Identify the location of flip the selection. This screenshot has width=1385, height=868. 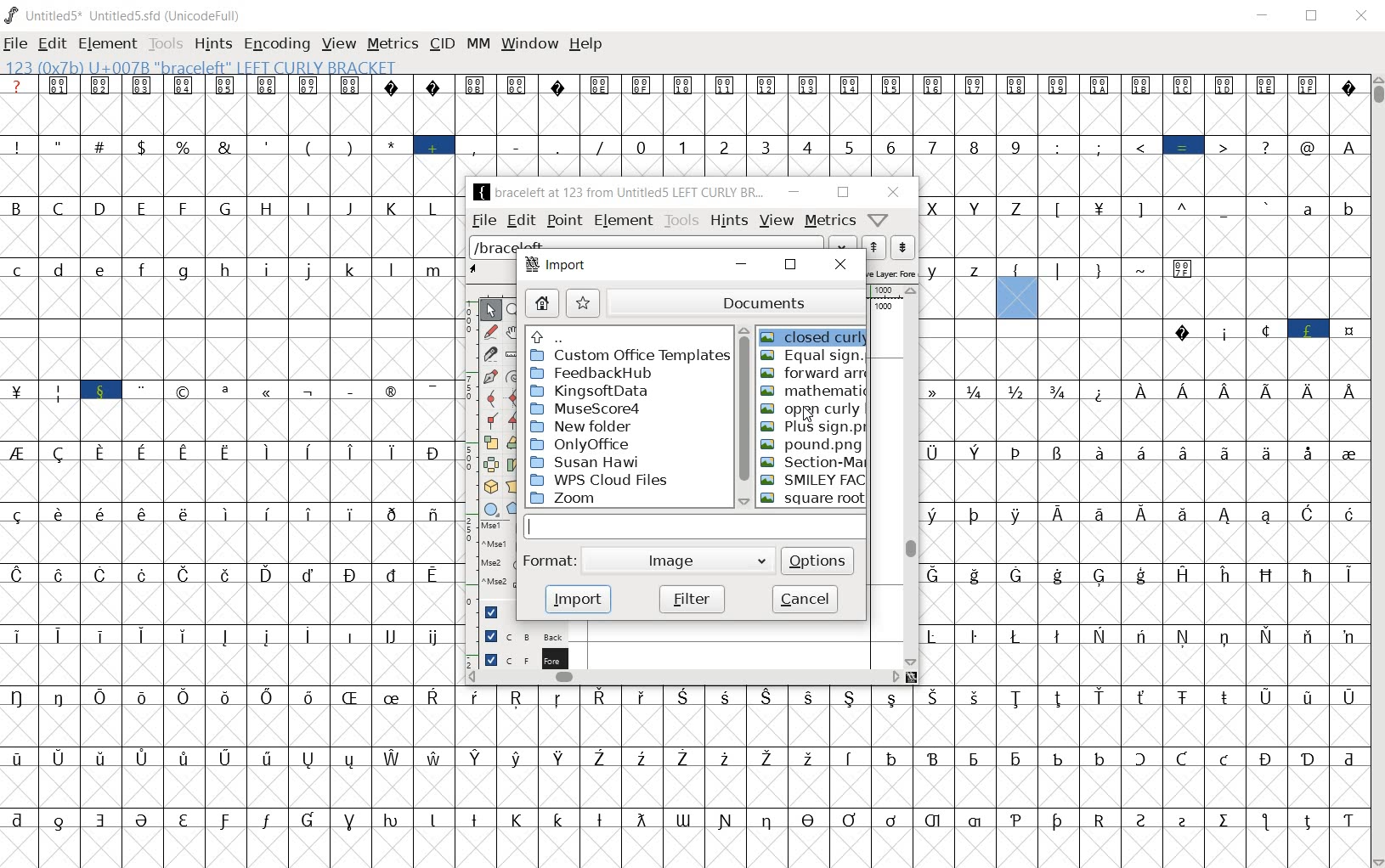
(489, 465).